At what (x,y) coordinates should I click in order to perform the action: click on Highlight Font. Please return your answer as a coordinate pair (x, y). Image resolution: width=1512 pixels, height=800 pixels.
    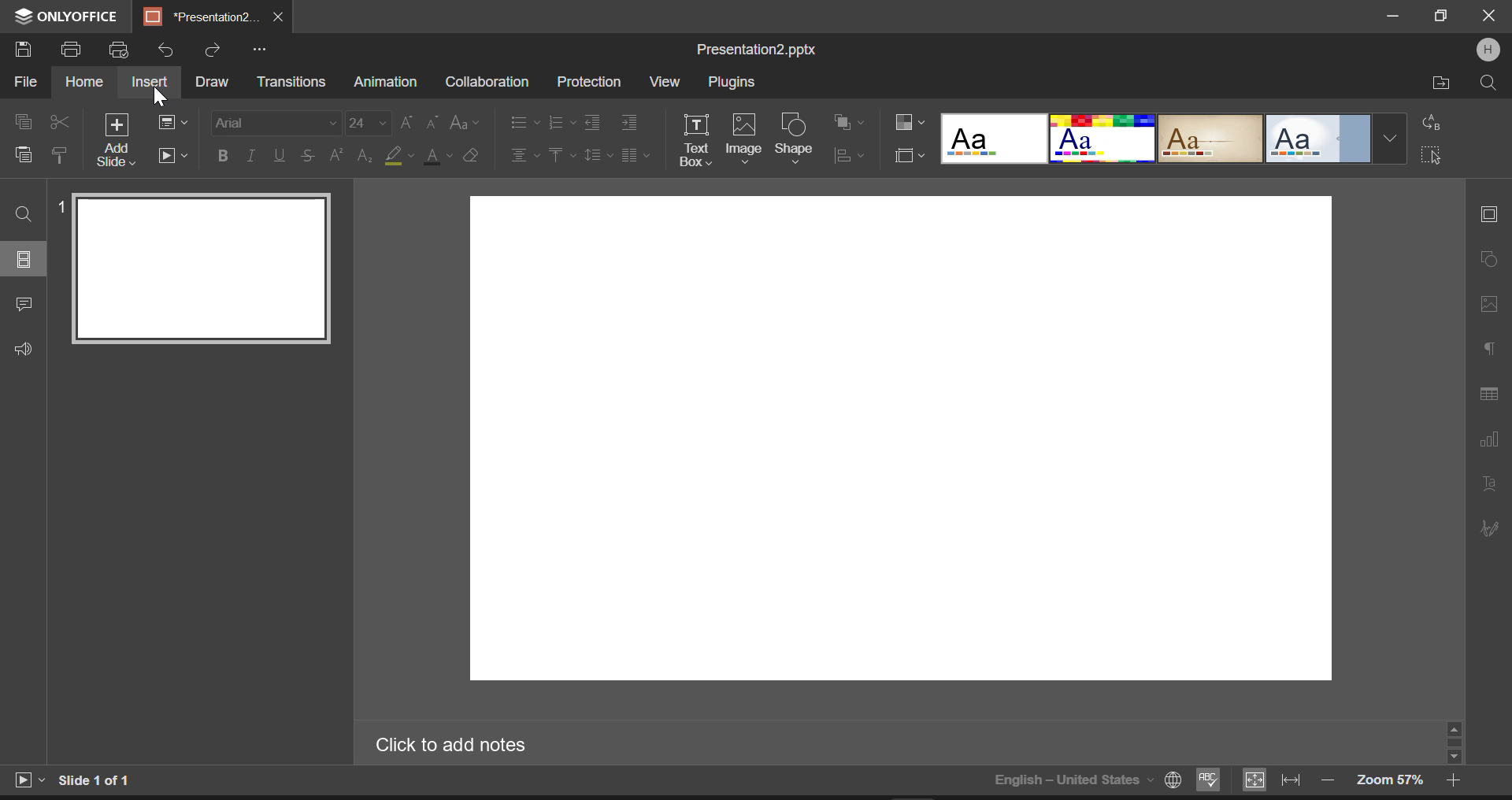
    Looking at the image, I should click on (401, 154).